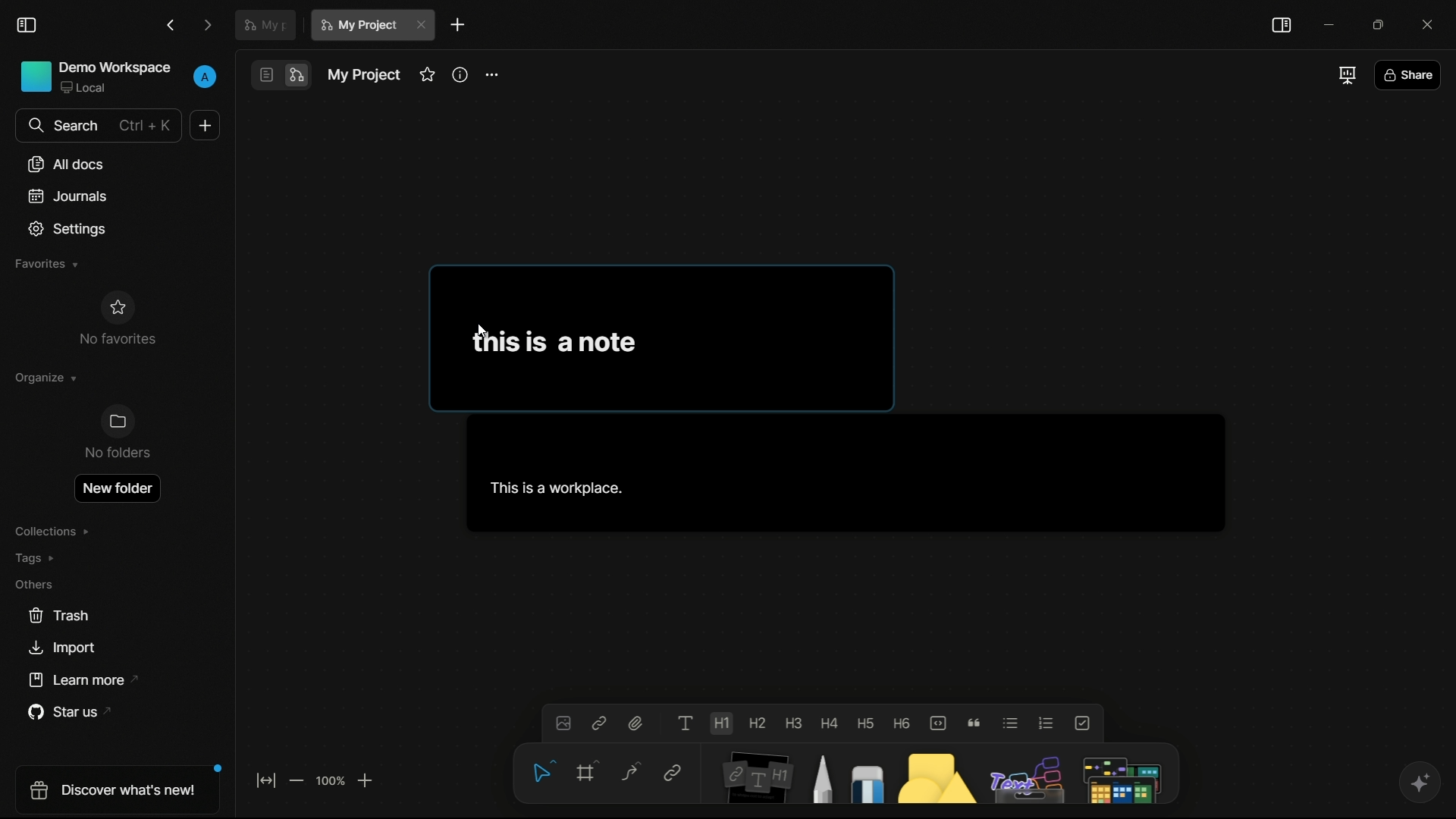 The image size is (1456, 819). I want to click on tags, so click(37, 558).